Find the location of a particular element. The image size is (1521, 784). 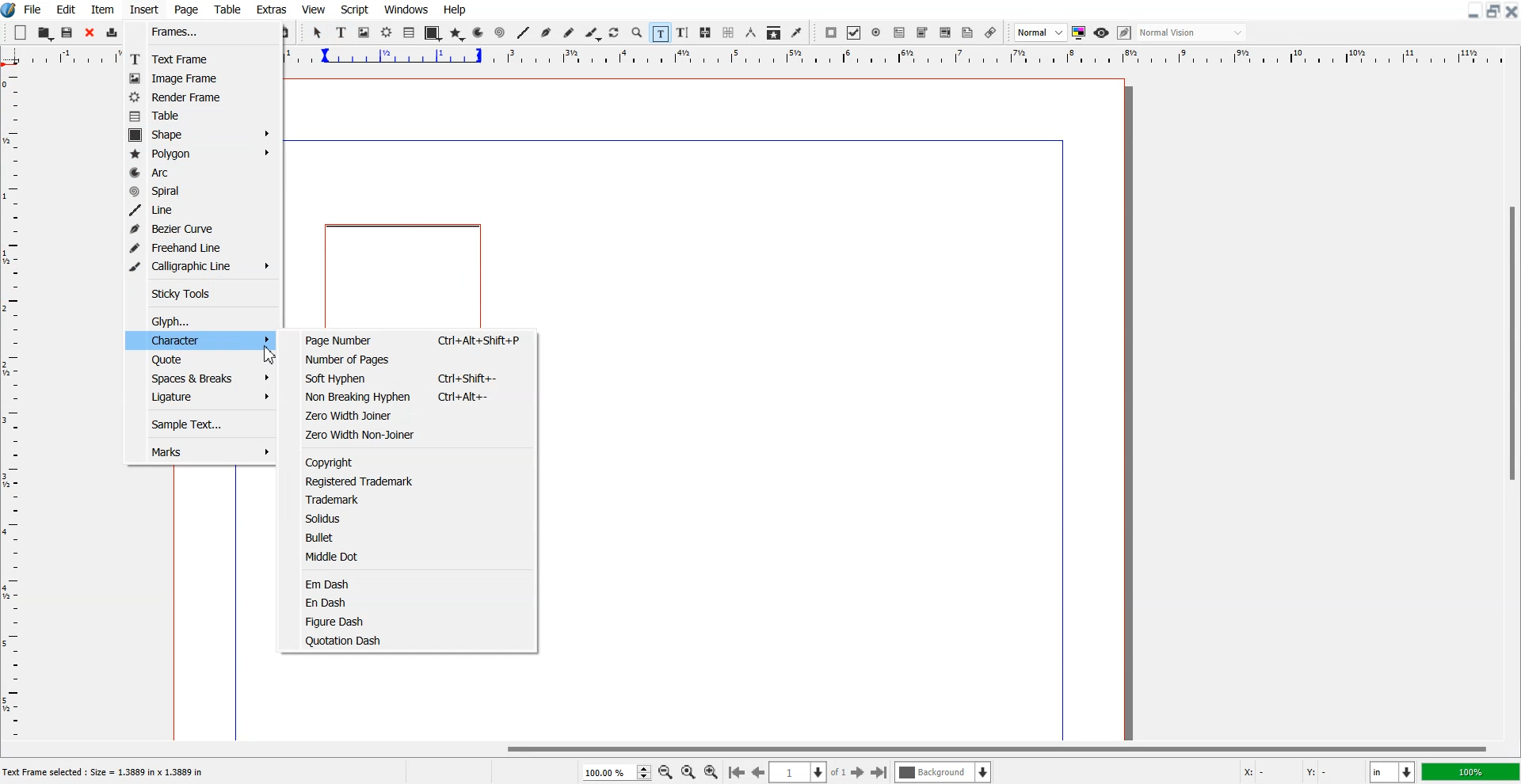

Select the visual appearance is located at coordinates (1191, 32).